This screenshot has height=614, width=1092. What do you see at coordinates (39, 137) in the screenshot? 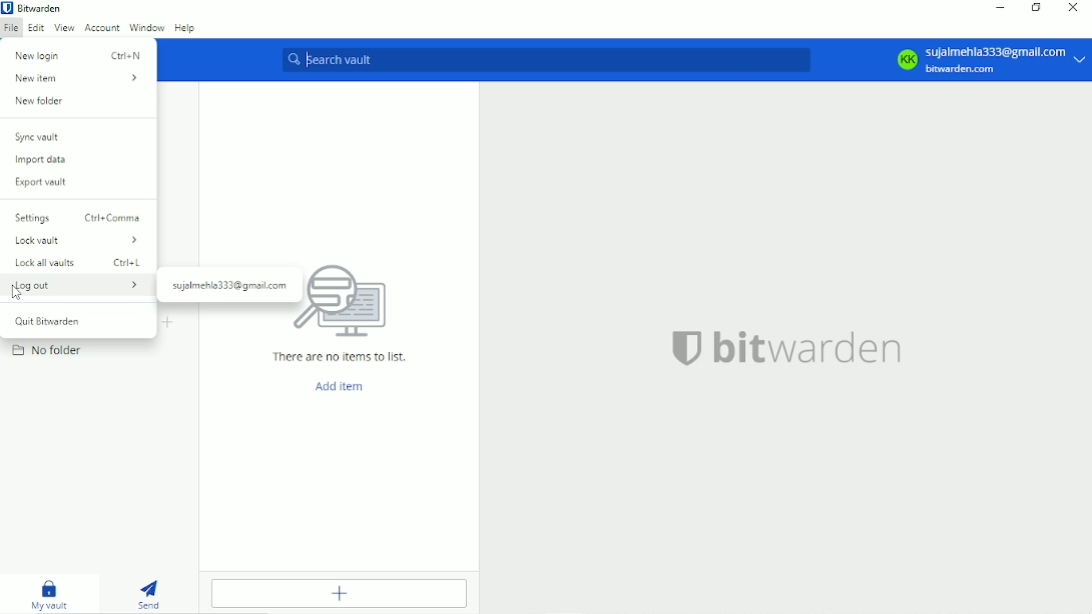
I see `Syne vault` at bounding box center [39, 137].